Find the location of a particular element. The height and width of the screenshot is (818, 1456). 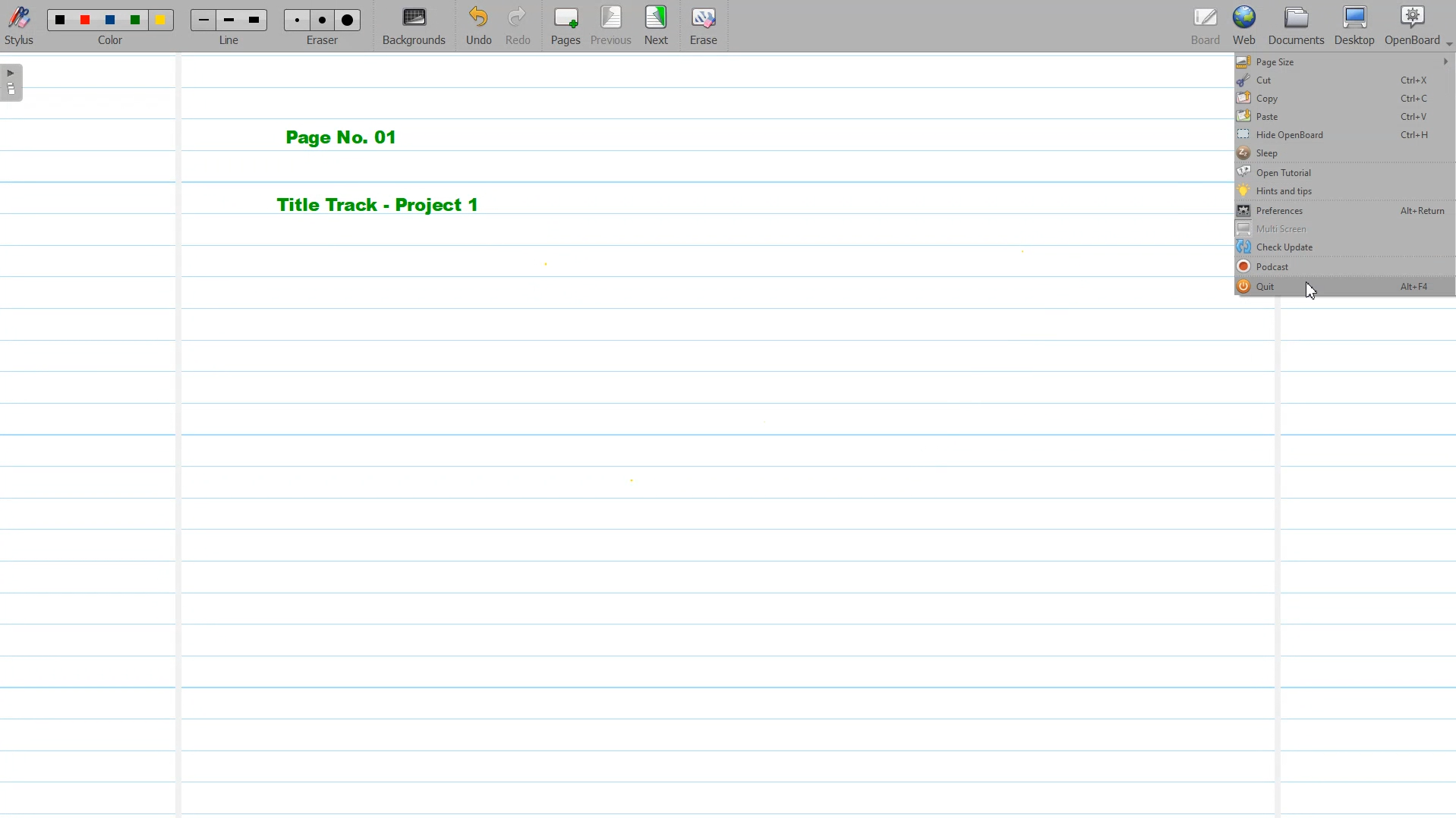

Page size is located at coordinates (1343, 62).